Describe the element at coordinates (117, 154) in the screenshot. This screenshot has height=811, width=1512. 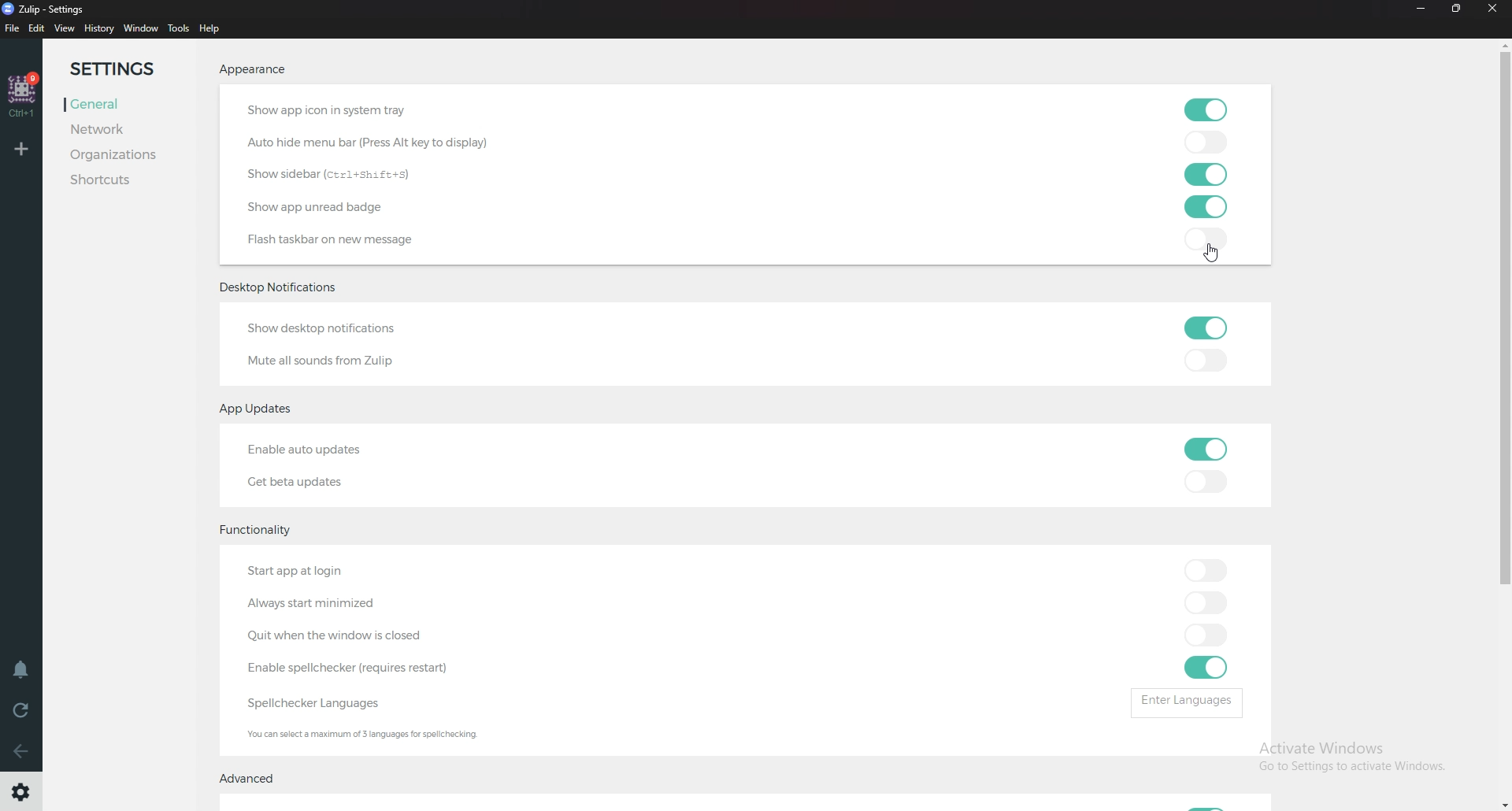
I see `Organizations` at that location.